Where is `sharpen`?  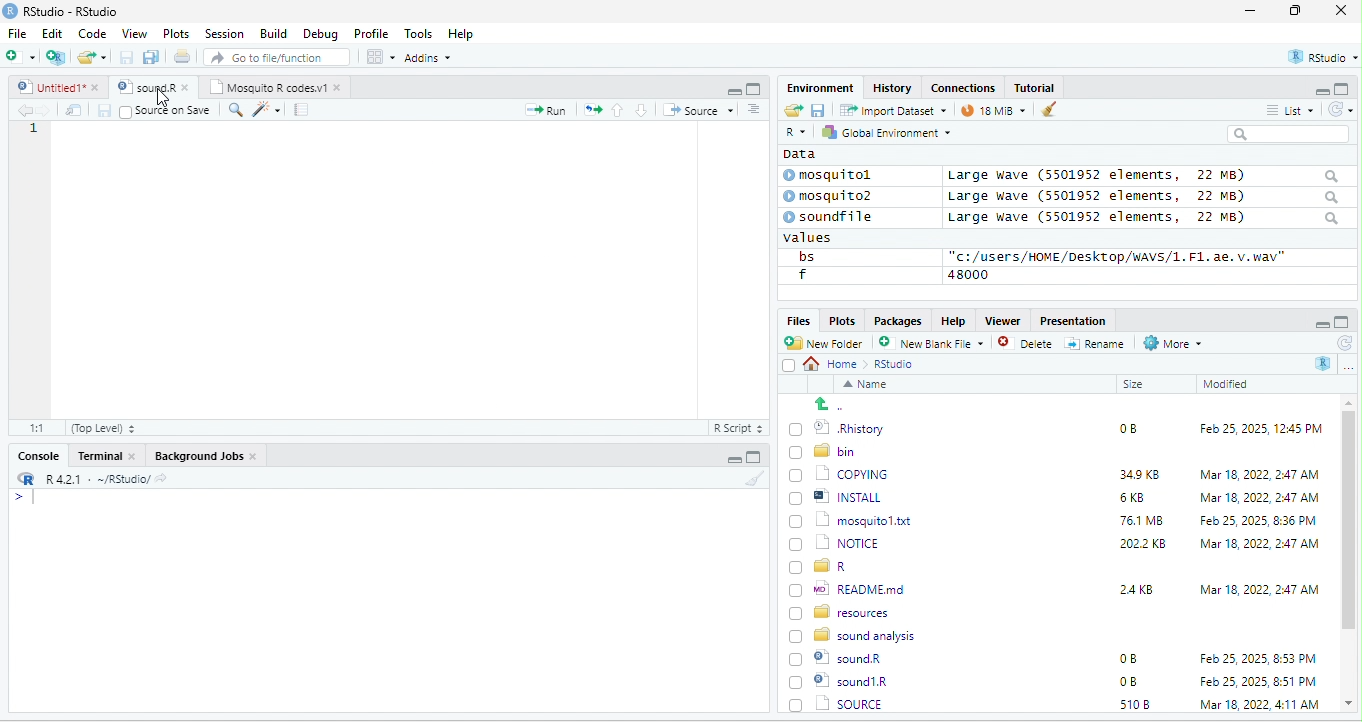
sharpen is located at coordinates (267, 109).